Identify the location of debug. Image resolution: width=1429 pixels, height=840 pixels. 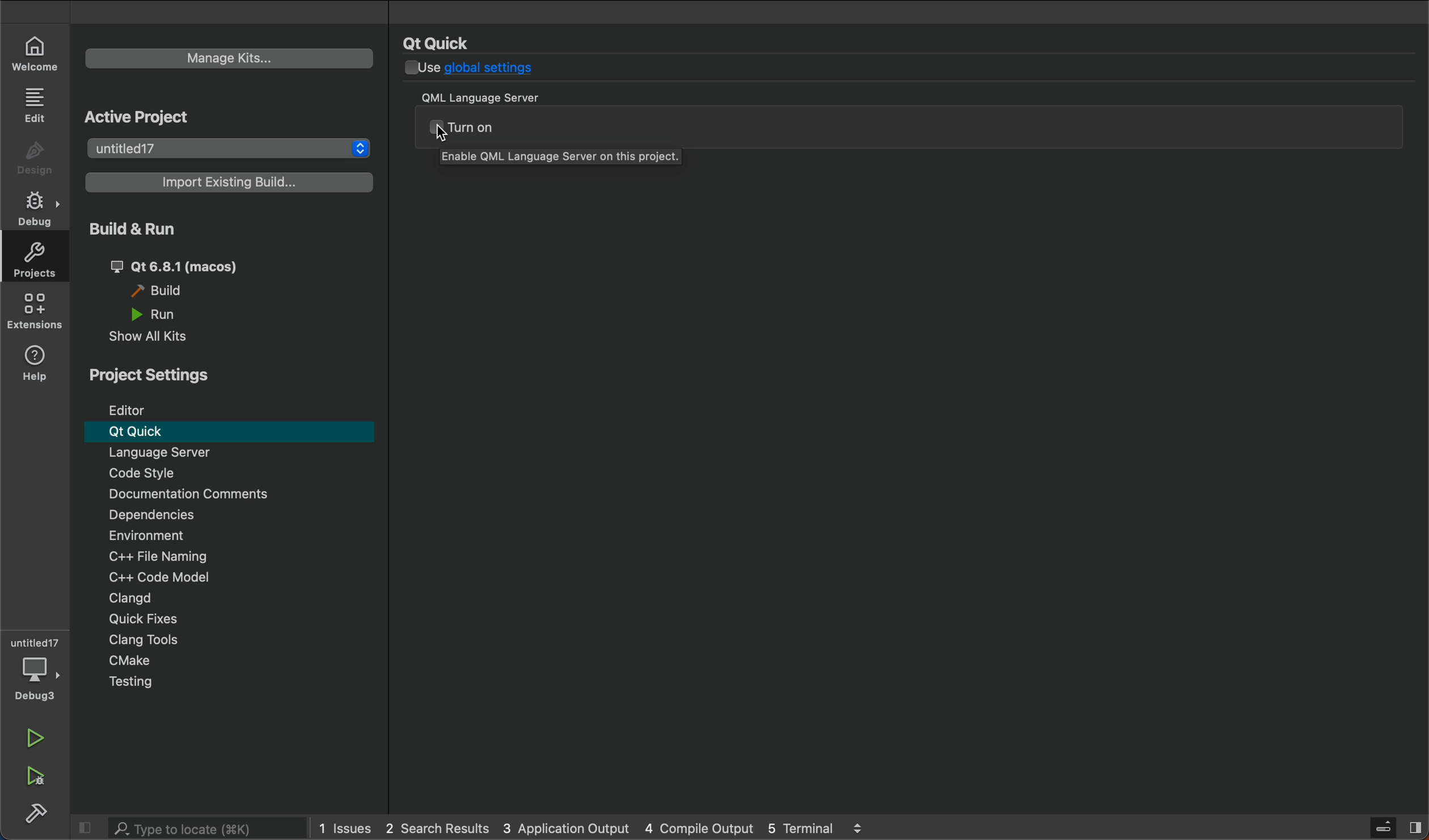
(35, 207).